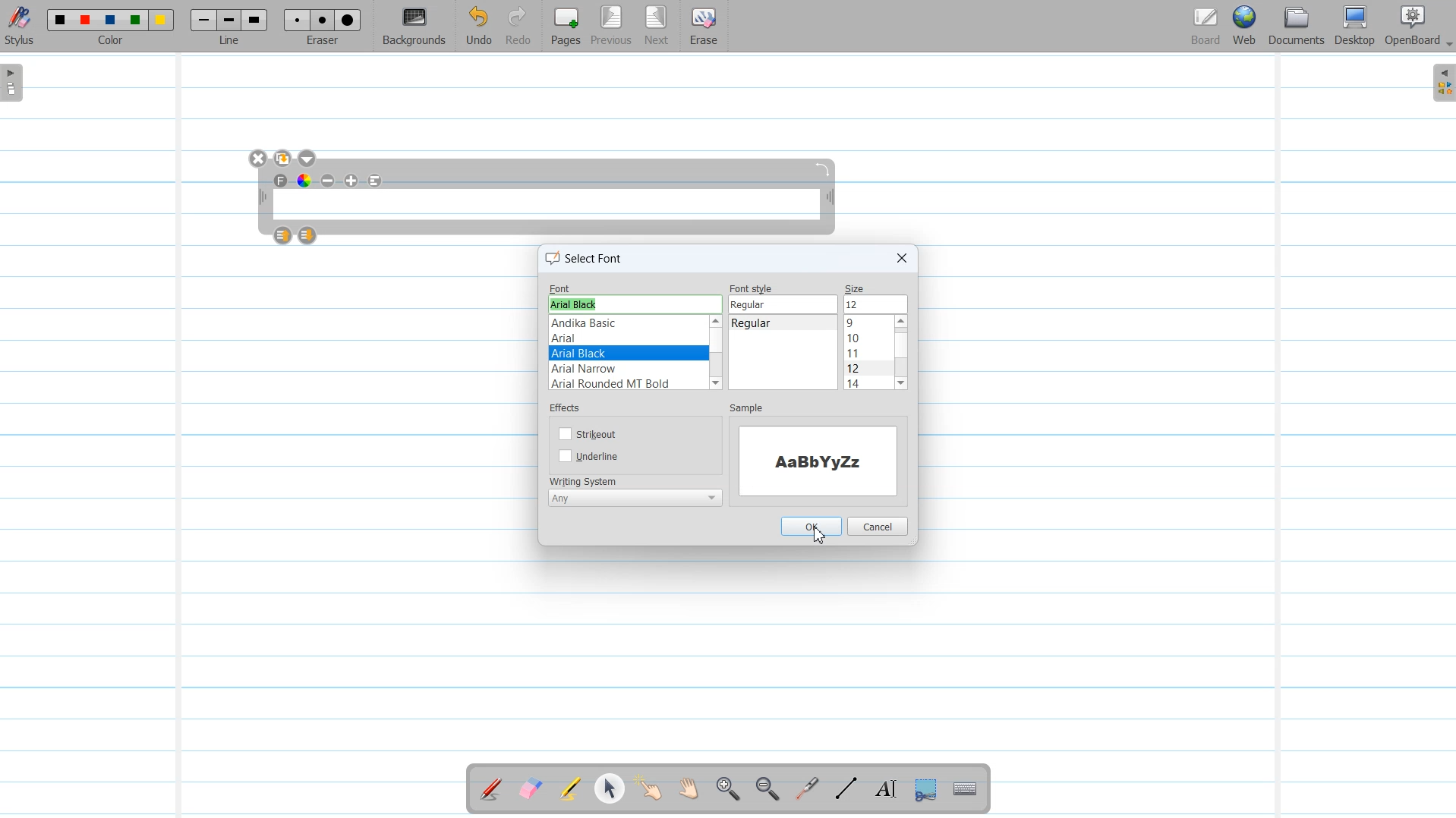 Image resolution: width=1456 pixels, height=818 pixels. I want to click on OK, so click(812, 526).